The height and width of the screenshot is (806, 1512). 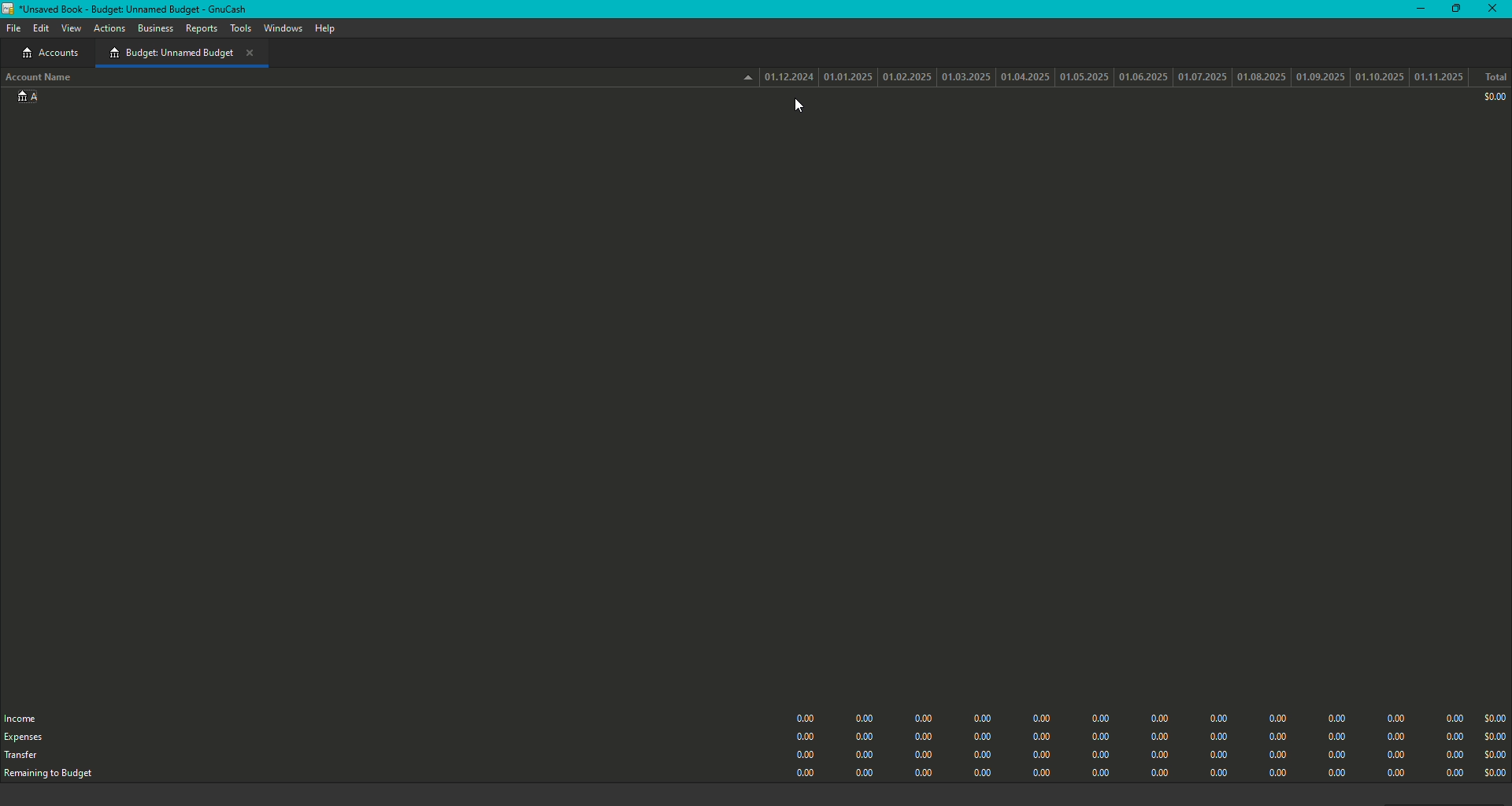 What do you see at coordinates (1146, 741) in the screenshot?
I see `$0` at bounding box center [1146, 741].